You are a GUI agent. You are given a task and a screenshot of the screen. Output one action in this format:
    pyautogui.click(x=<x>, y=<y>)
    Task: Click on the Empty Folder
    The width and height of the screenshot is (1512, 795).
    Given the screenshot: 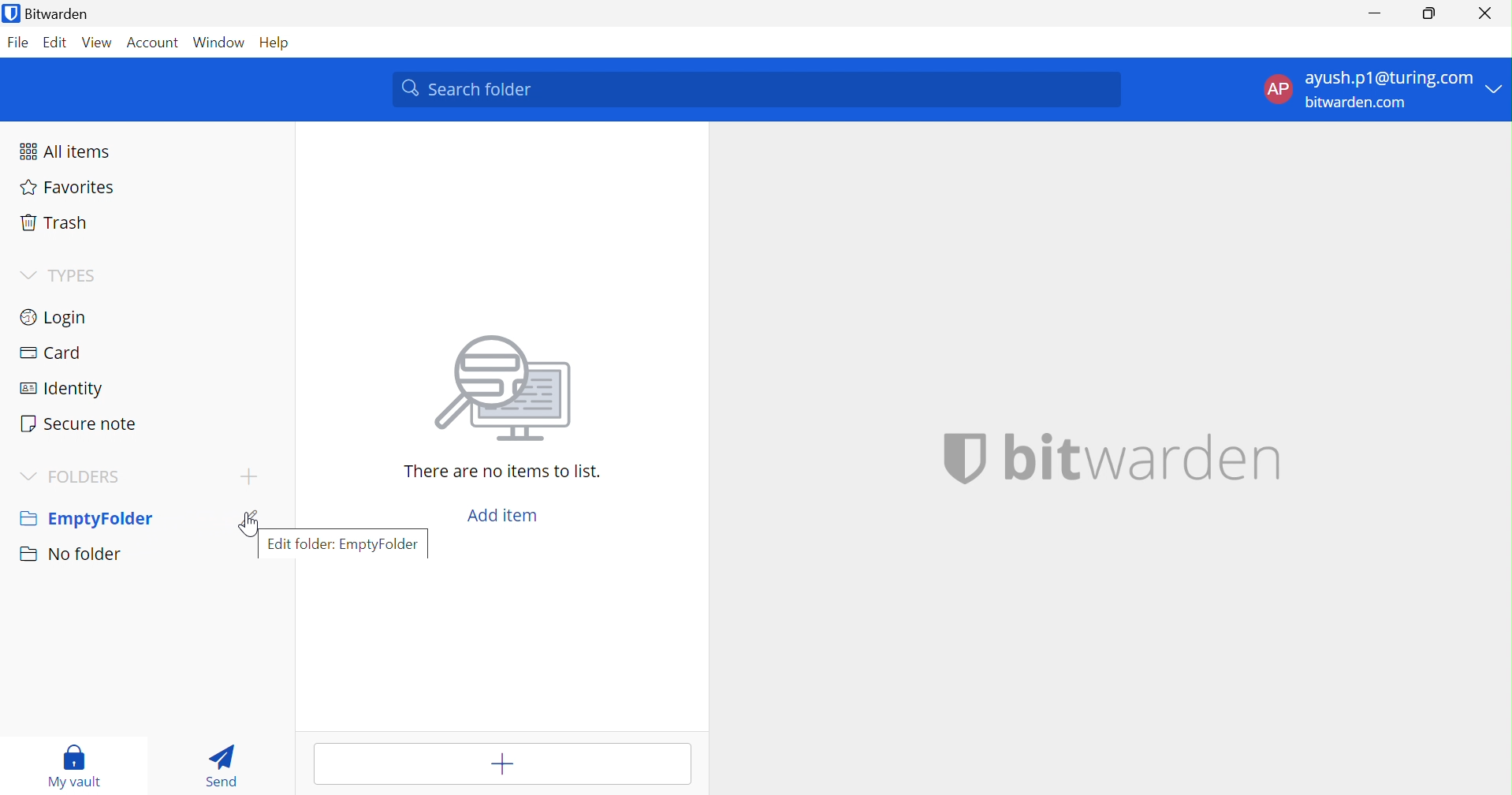 What is the action you would take?
    pyautogui.click(x=84, y=521)
    